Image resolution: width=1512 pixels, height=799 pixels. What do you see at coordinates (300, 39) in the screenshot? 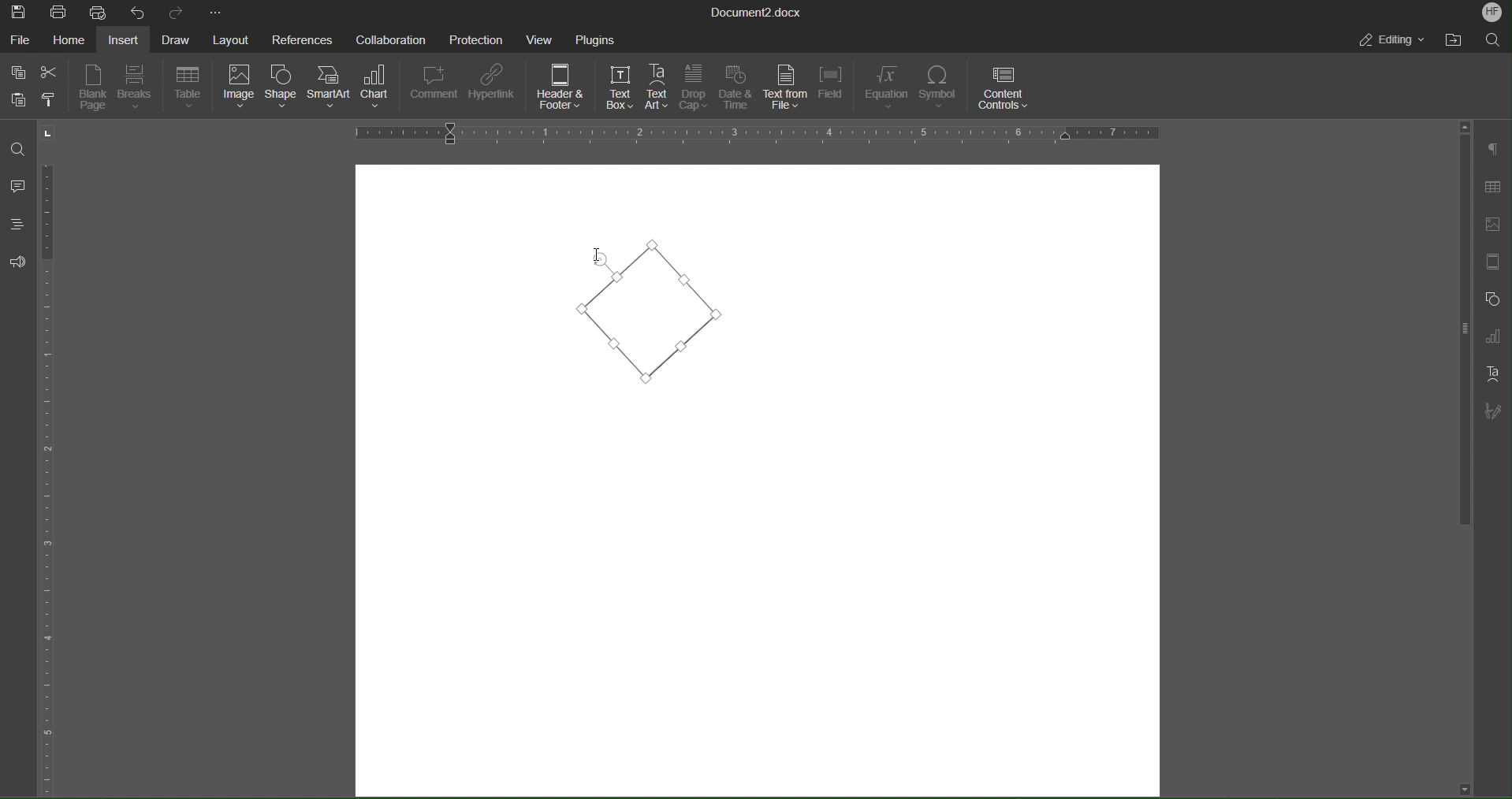
I see `References` at bounding box center [300, 39].